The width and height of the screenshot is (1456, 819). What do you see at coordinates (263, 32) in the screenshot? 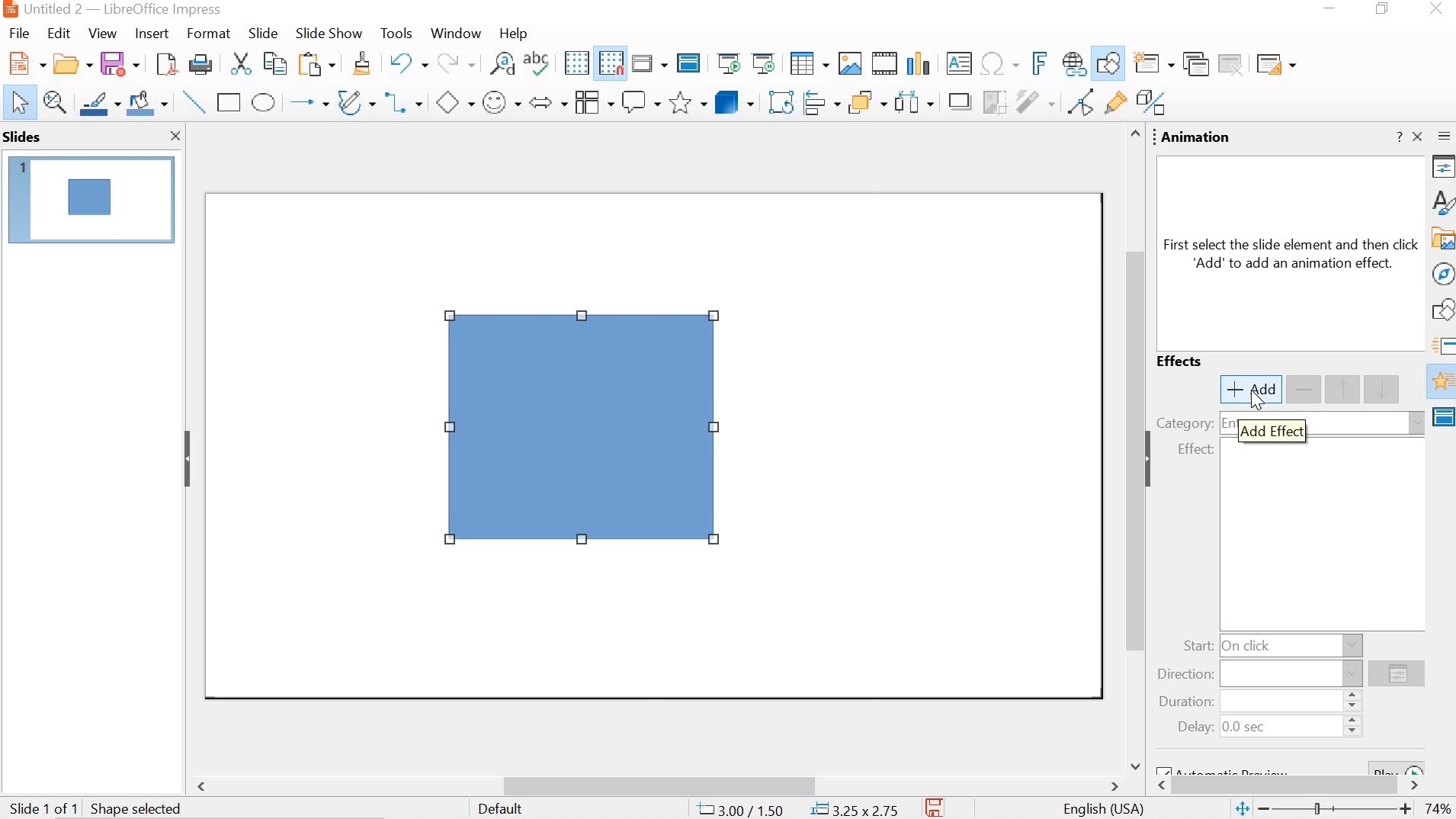
I see `slide` at bounding box center [263, 32].